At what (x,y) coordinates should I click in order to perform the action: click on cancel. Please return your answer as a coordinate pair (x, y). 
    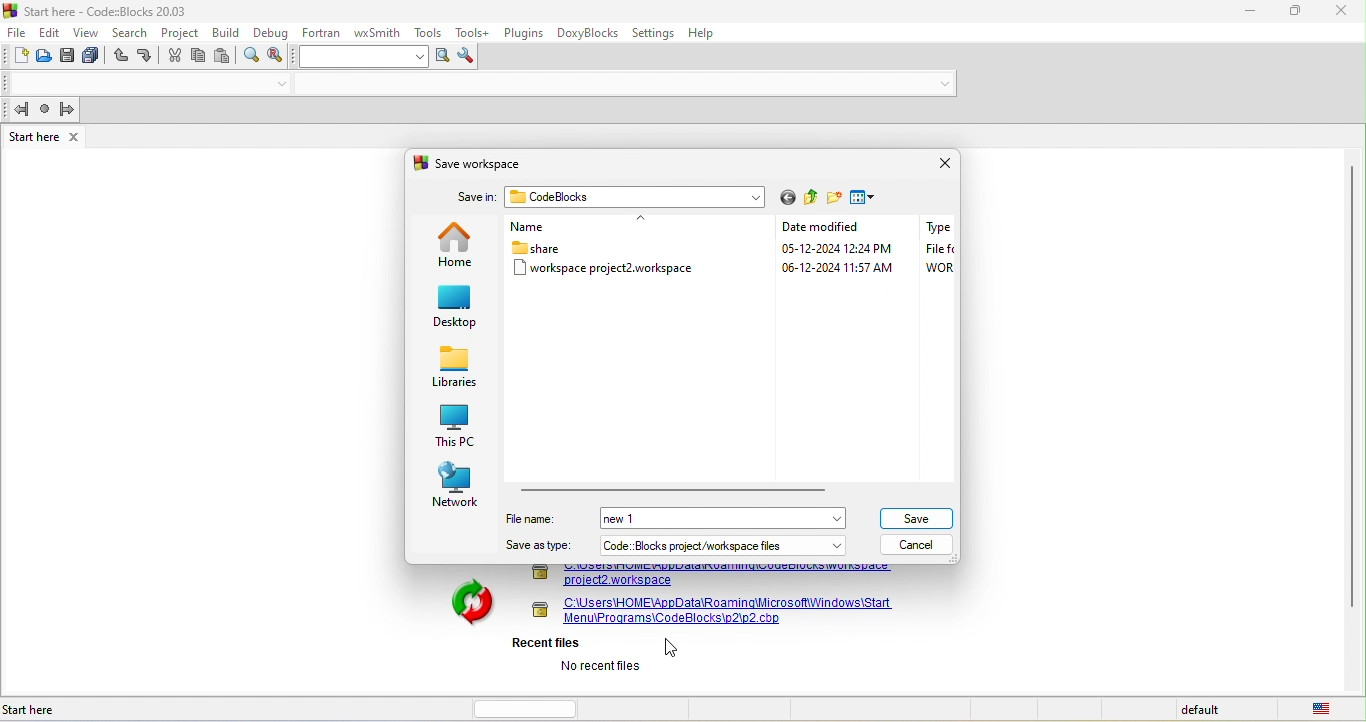
    Looking at the image, I should click on (923, 544).